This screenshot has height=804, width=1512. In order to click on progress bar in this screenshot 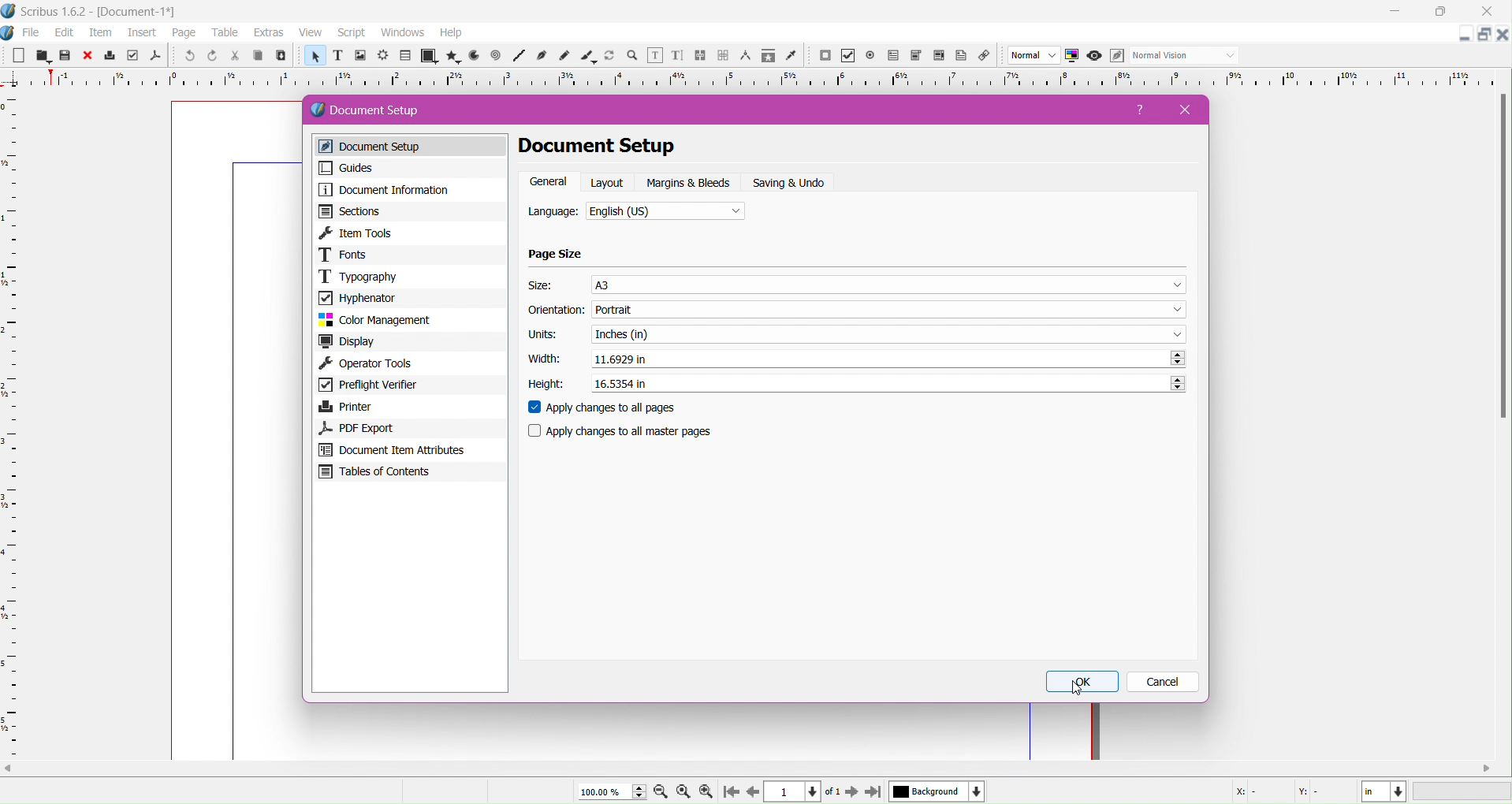, I will do `click(1463, 792)`.